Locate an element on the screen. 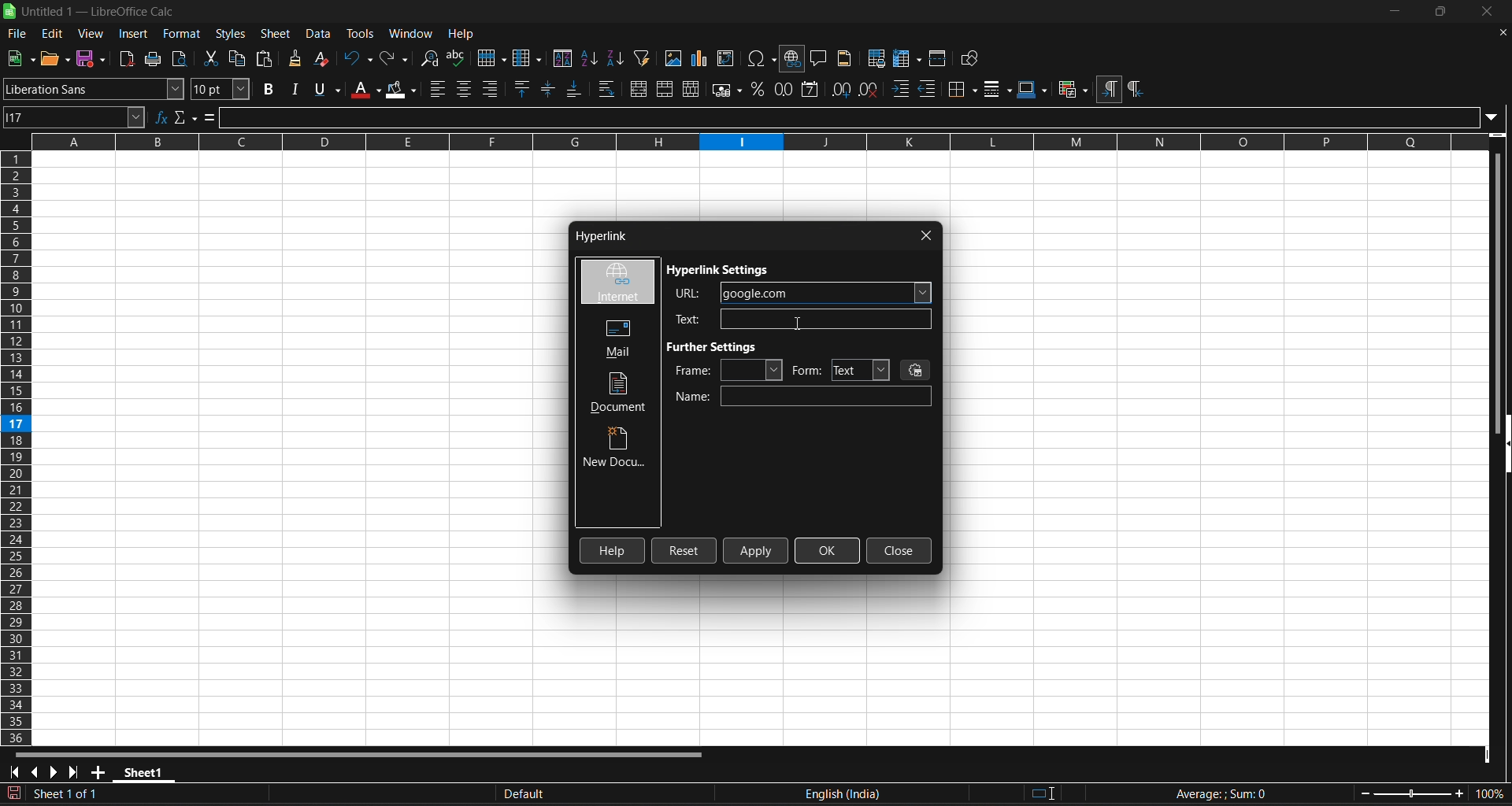  center vertically is located at coordinates (550, 88).